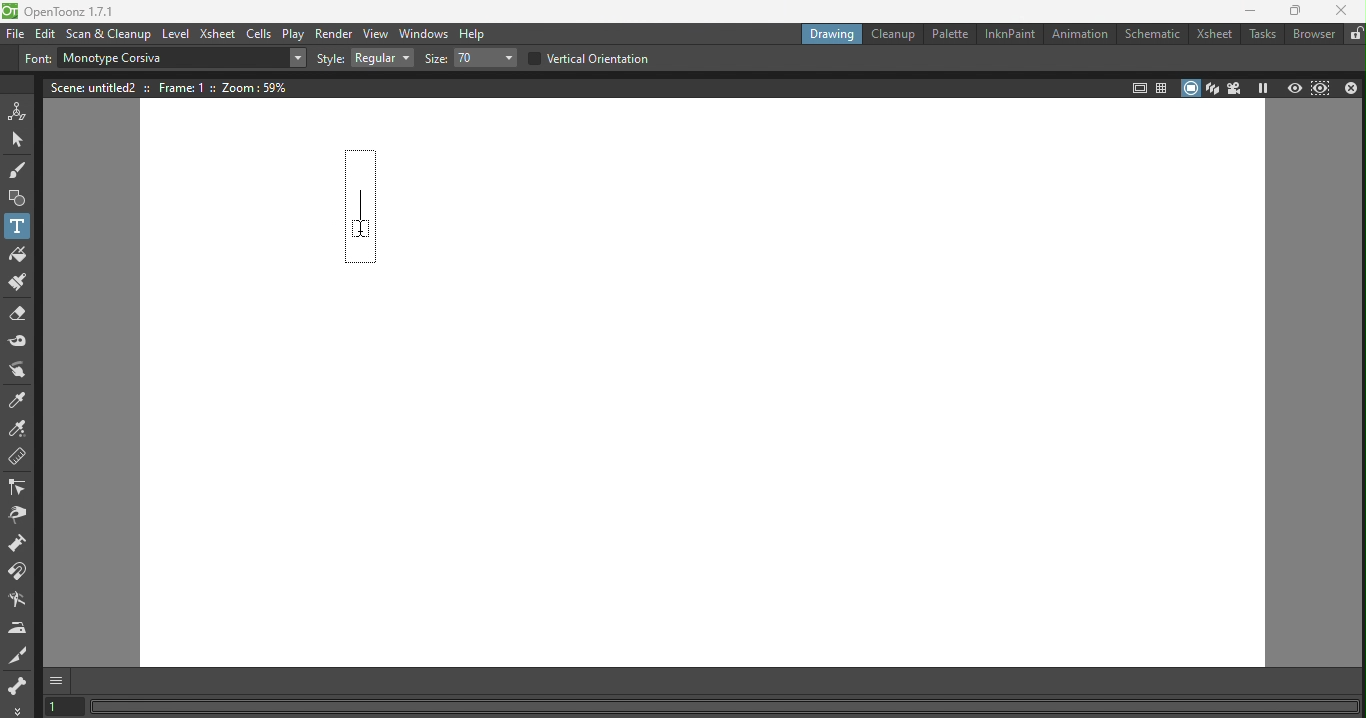 This screenshot has width=1366, height=718. I want to click on Tape tool, so click(20, 343).